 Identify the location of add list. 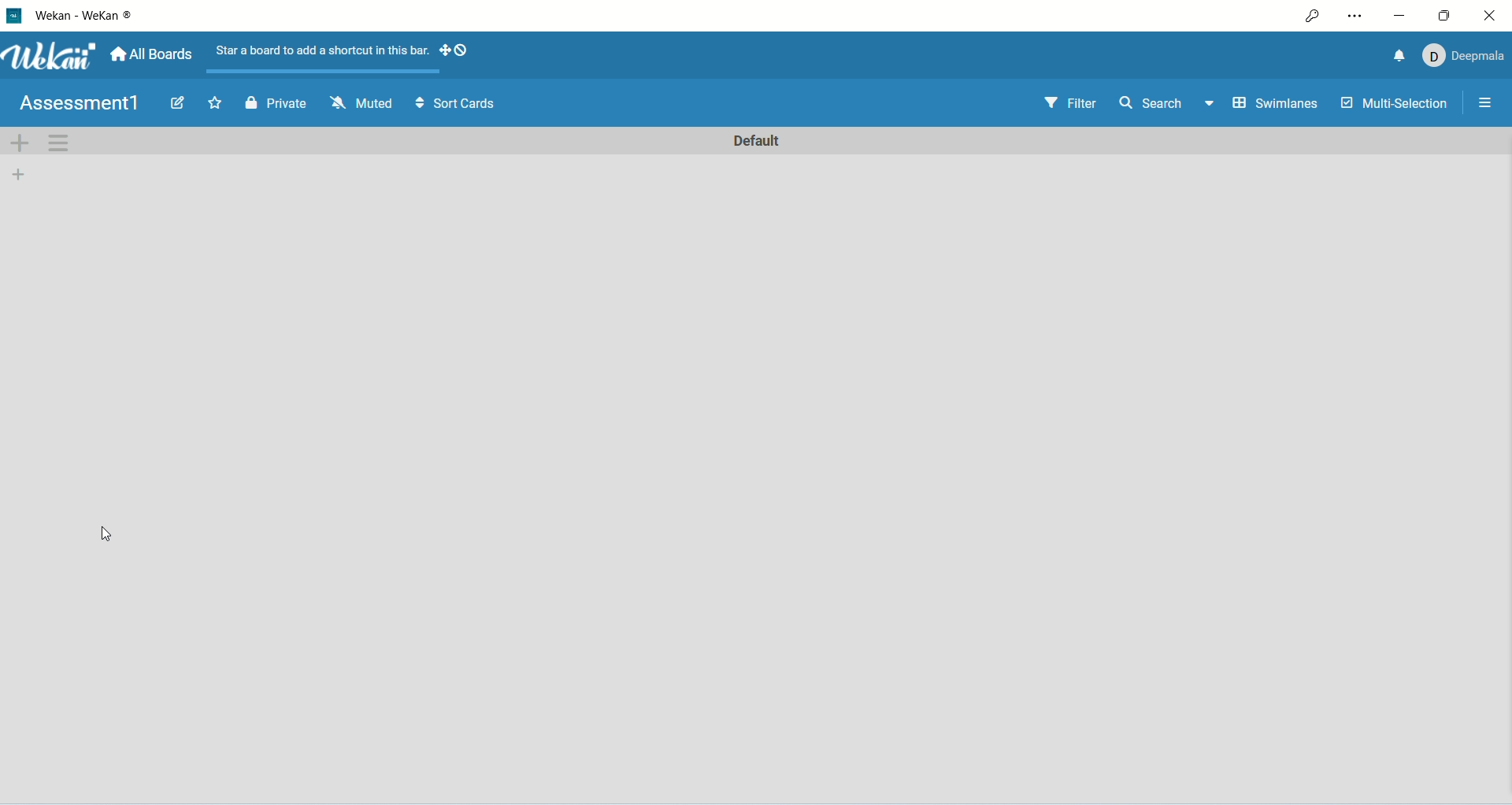
(20, 174).